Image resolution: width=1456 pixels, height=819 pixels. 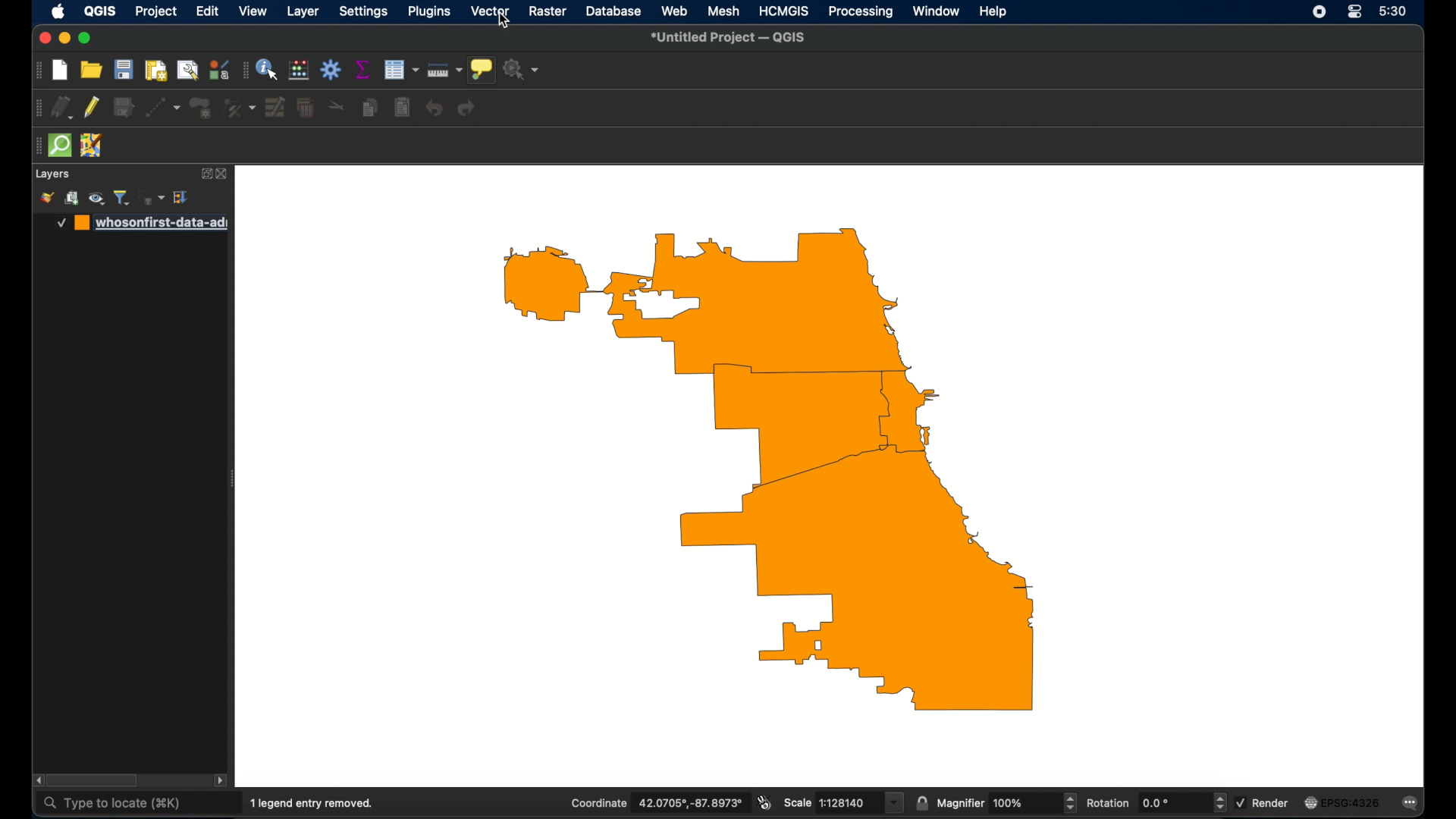 What do you see at coordinates (98, 199) in the screenshot?
I see `manage map theme` at bounding box center [98, 199].